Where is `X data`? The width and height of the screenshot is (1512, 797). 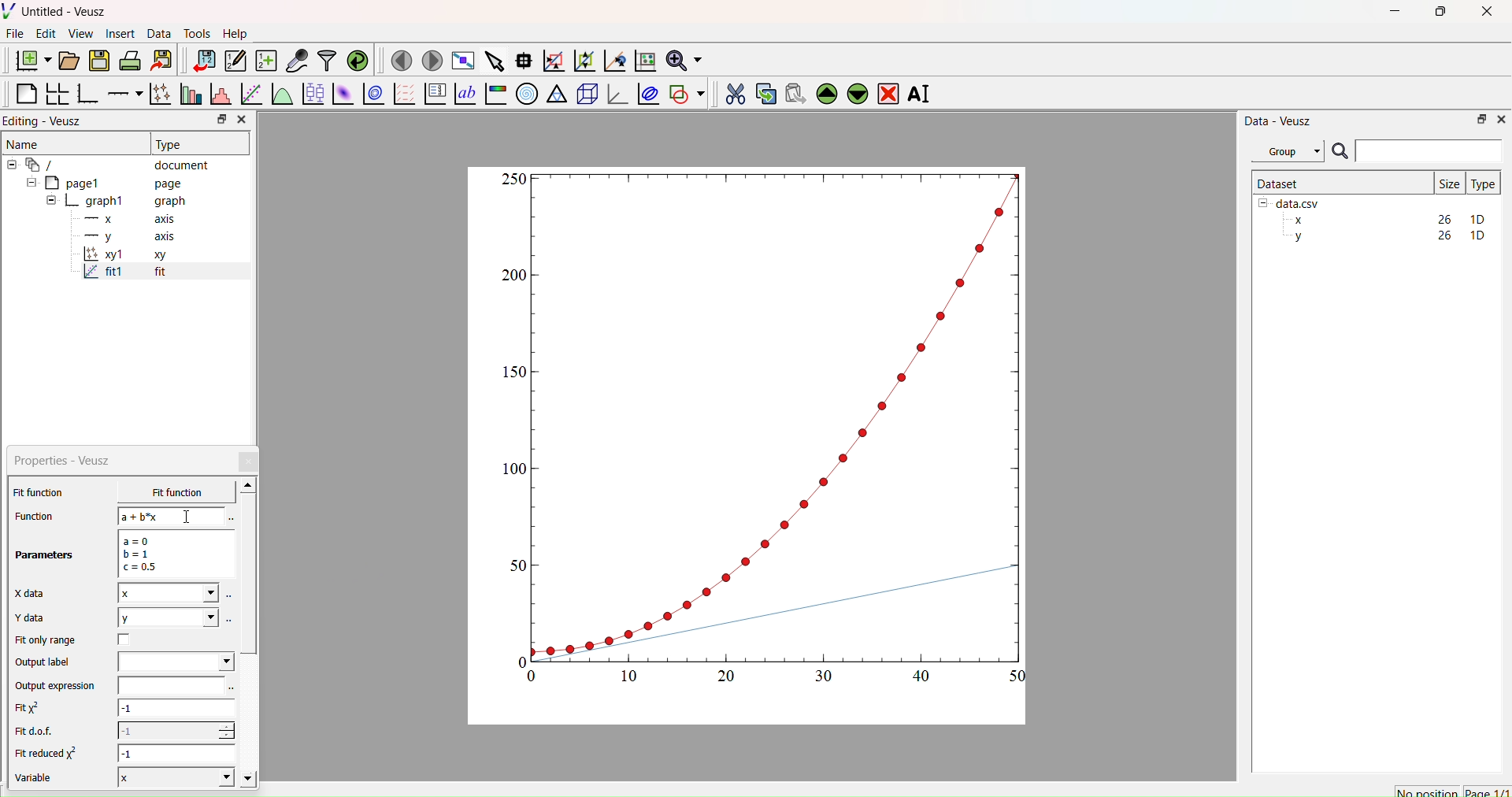
X data is located at coordinates (33, 591).